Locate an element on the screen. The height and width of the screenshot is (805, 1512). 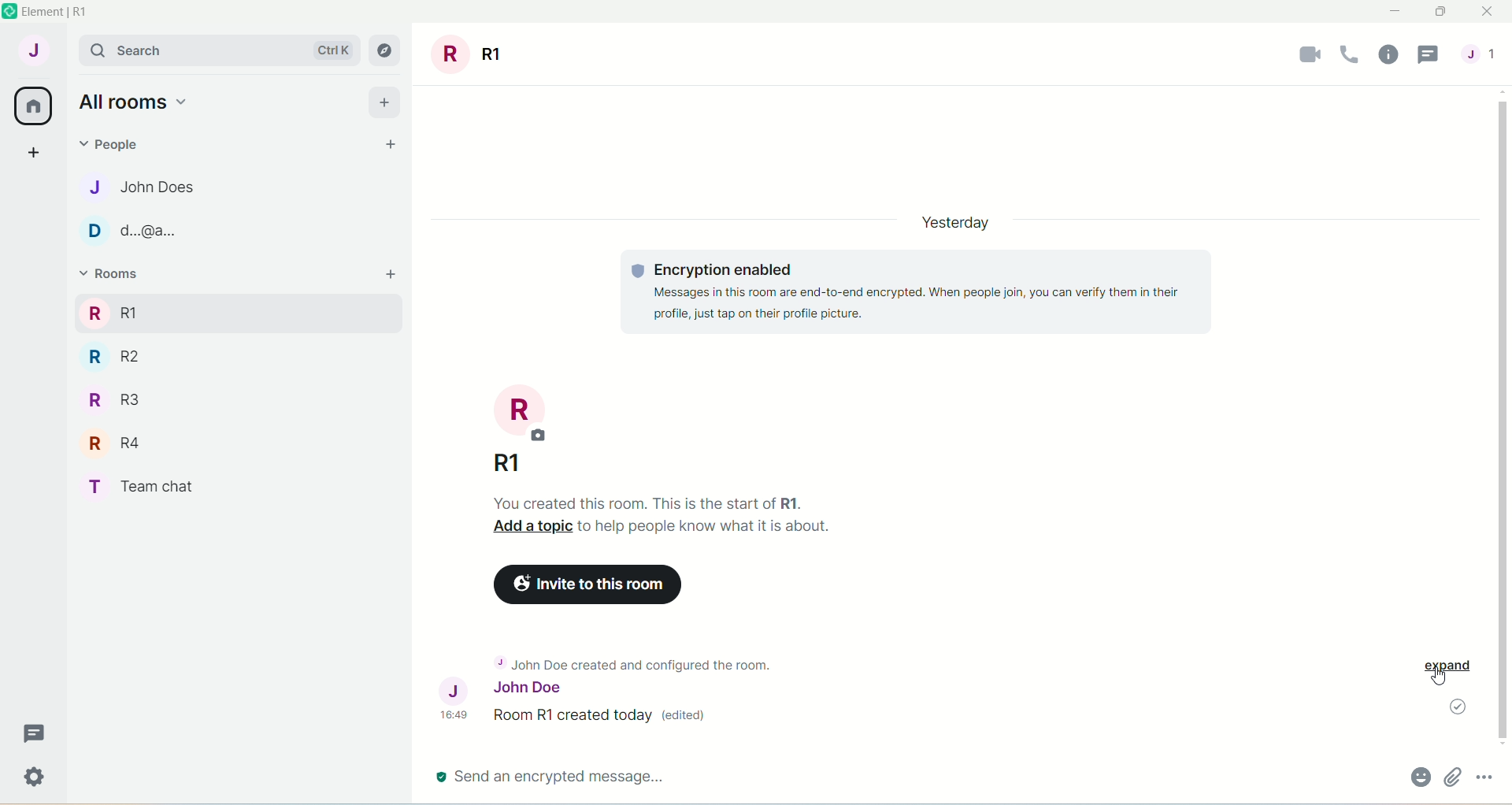
all rooms is located at coordinates (131, 103).